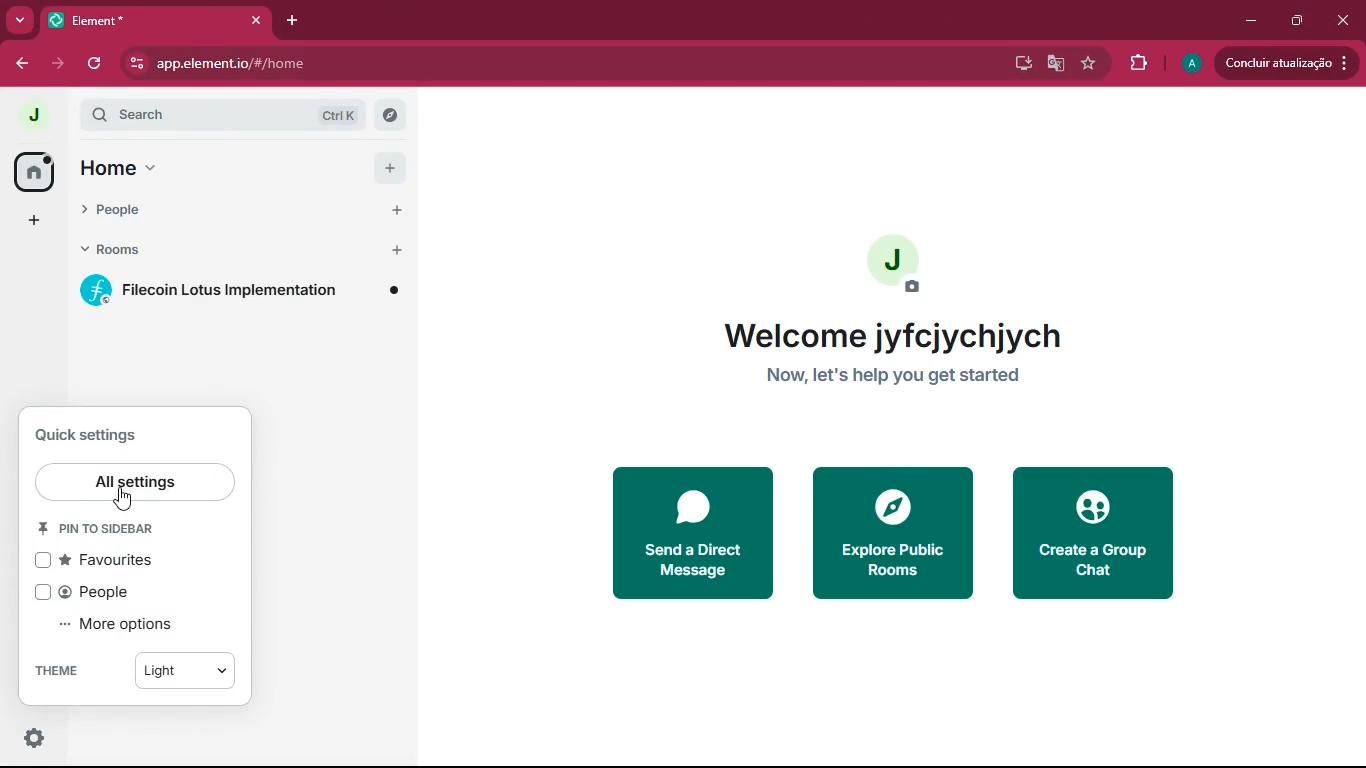 The height and width of the screenshot is (768, 1366). What do you see at coordinates (34, 739) in the screenshot?
I see `settings` at bounding box center [34, 739].